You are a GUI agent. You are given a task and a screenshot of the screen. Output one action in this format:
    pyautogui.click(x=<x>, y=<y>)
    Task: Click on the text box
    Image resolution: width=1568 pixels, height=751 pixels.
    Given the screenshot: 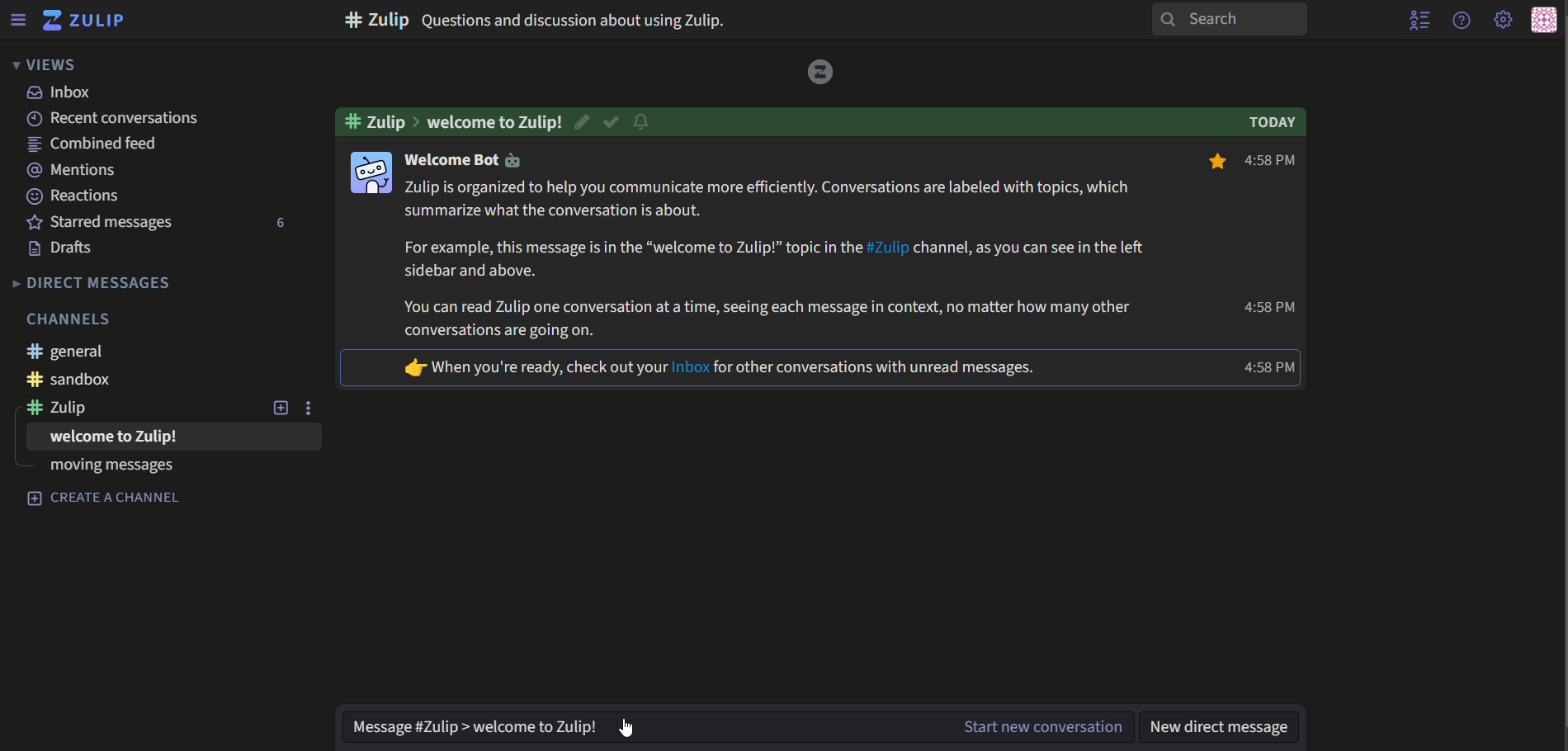 What is the action you would take?
    pyautogui.click(x=741, y=727)
    